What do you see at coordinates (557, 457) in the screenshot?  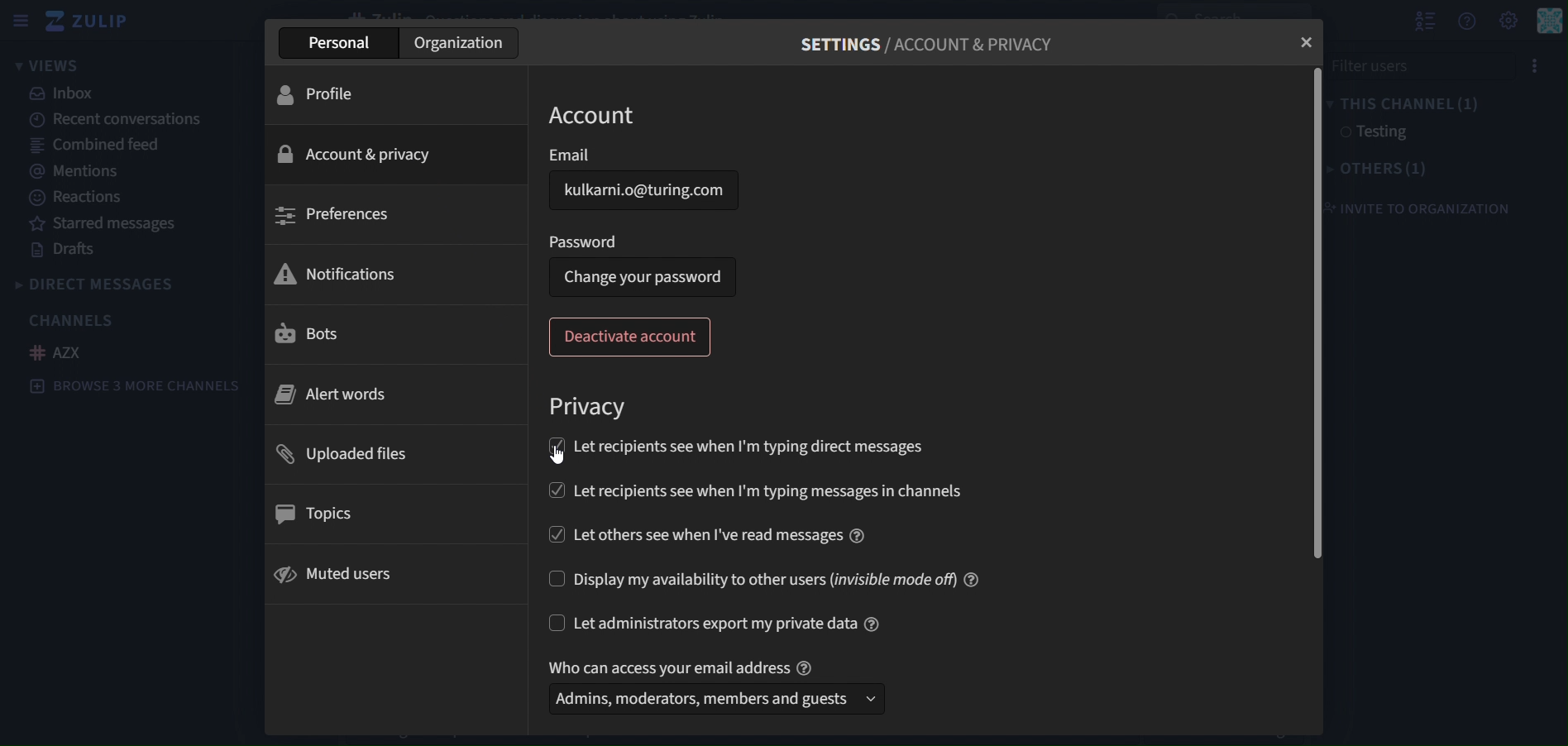 I see `cursor` at bounding box center [557, 457].